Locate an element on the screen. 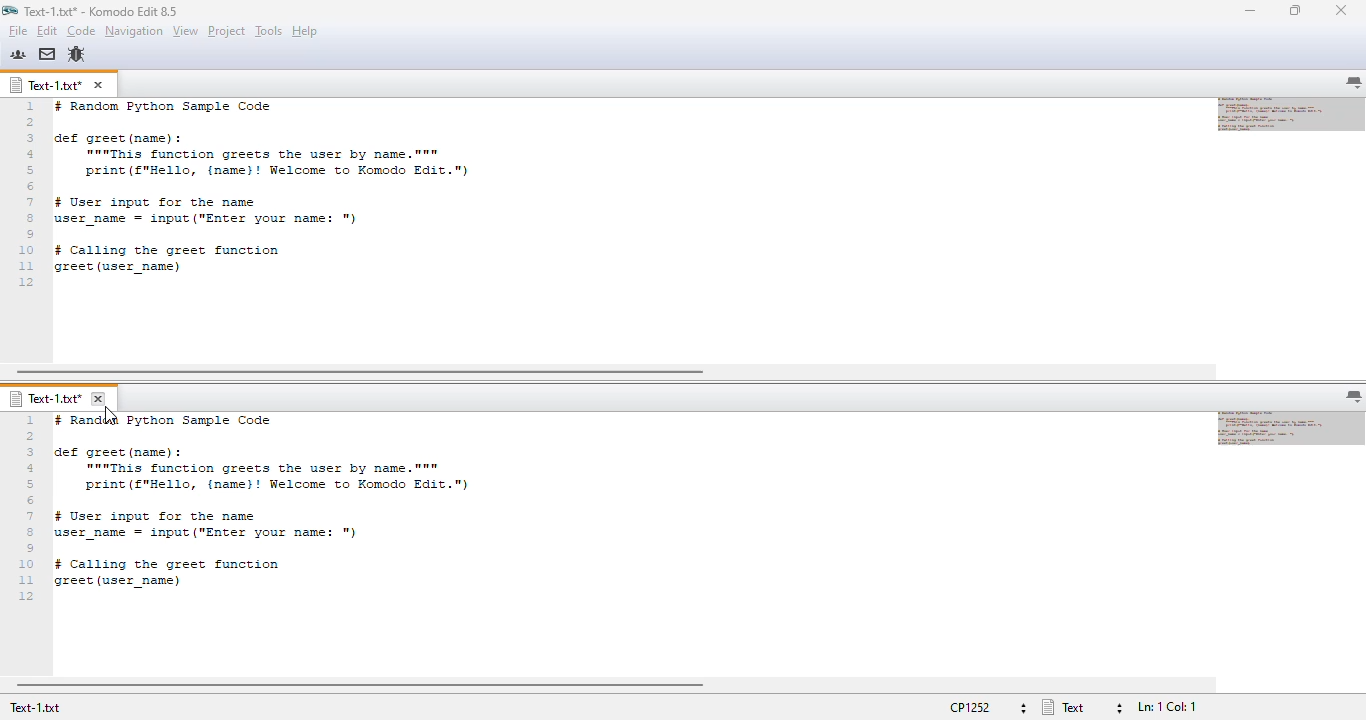 This screenshot has width=1366, height=720. project is located at coordinates (226, 31).